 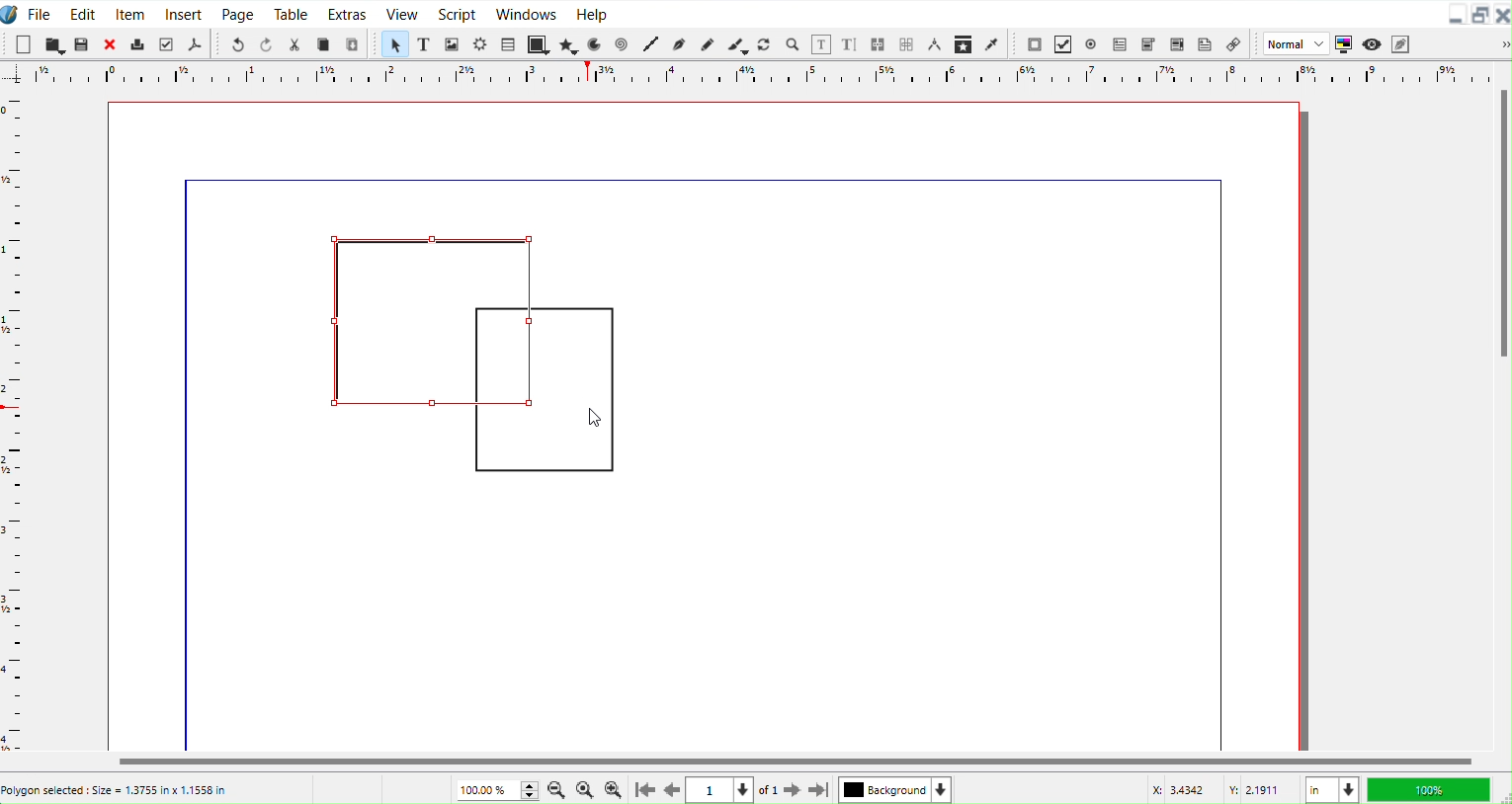 What do you see at coordinates (1062, 43) in the screenshot?
I see `PDF Check box` at bounding box center [1062, 43].